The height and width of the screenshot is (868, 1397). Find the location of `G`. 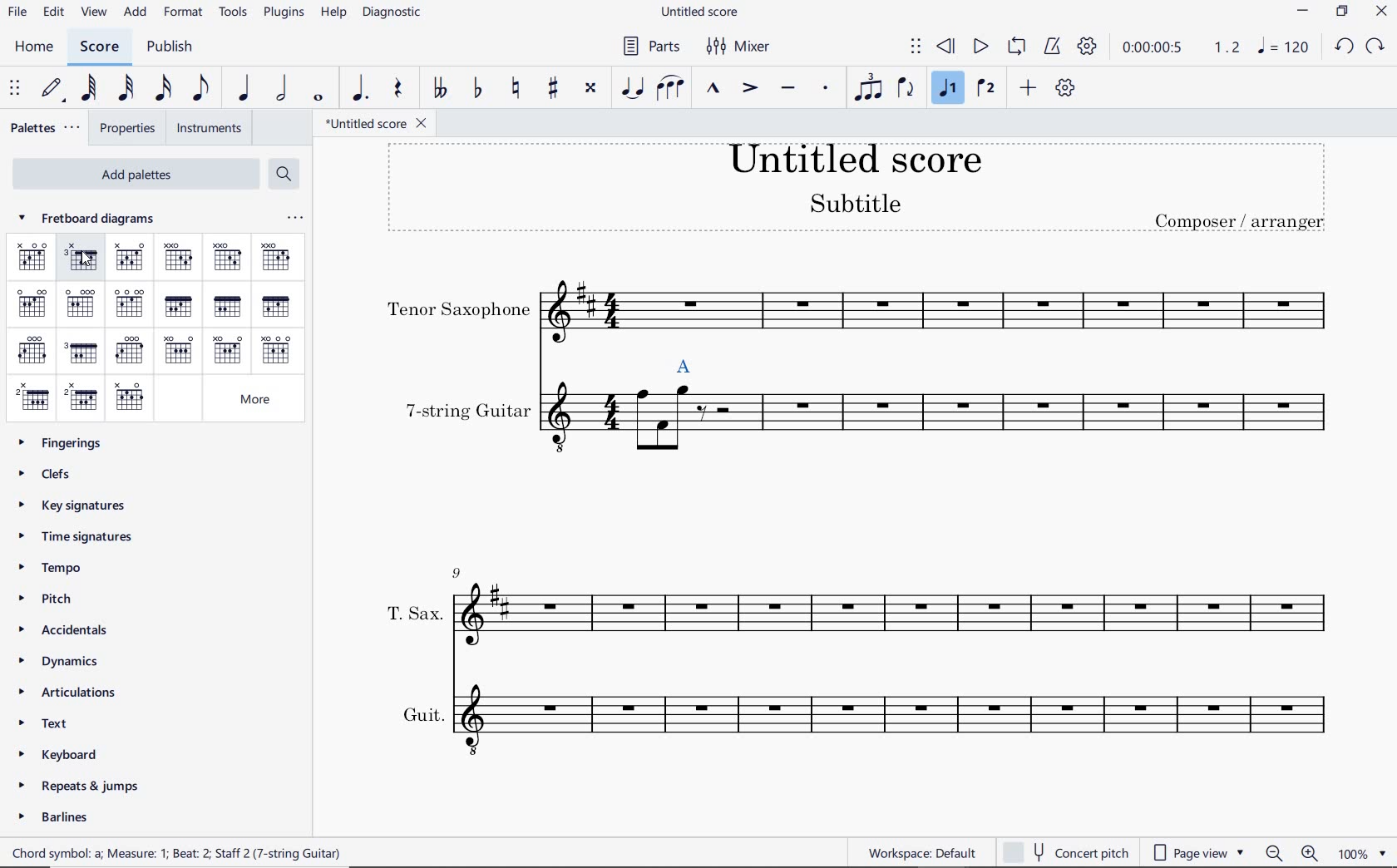

G is located at coordinates (33, 350).